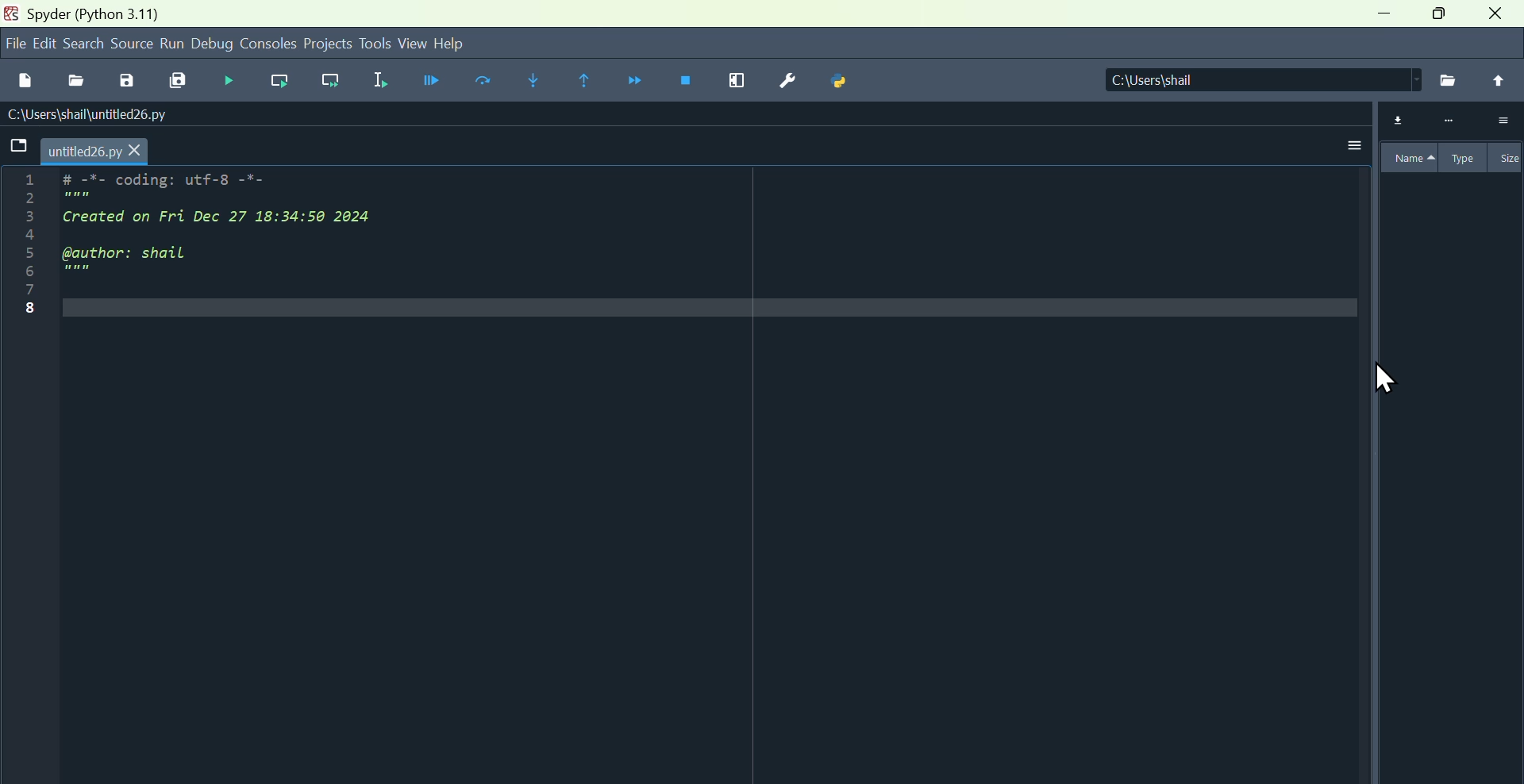  I want to click on Preferences, so click(786, 81).